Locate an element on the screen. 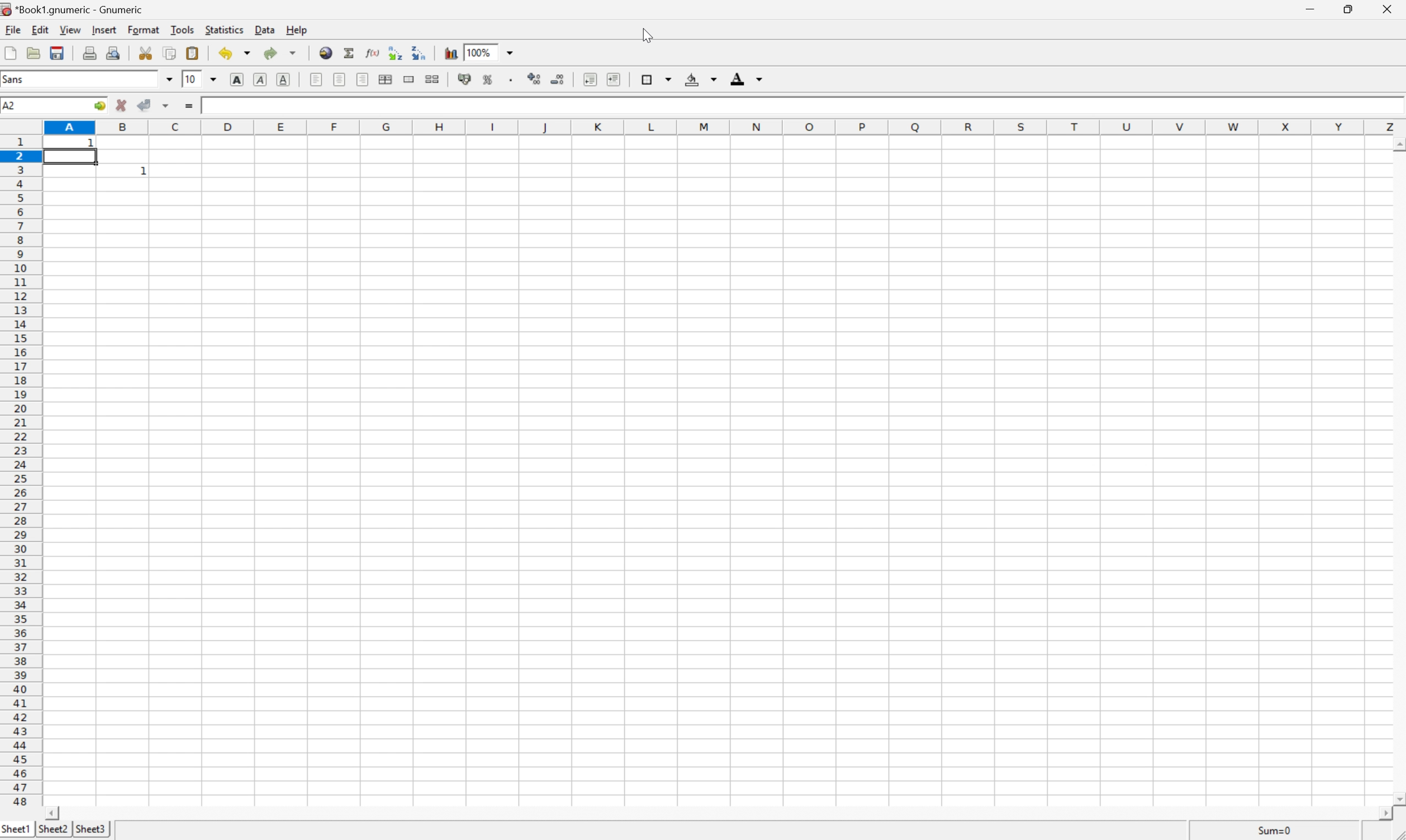 The height and width of the screenshot is (840, 1406). format selection as accounting is located at coordinates (467, 78).